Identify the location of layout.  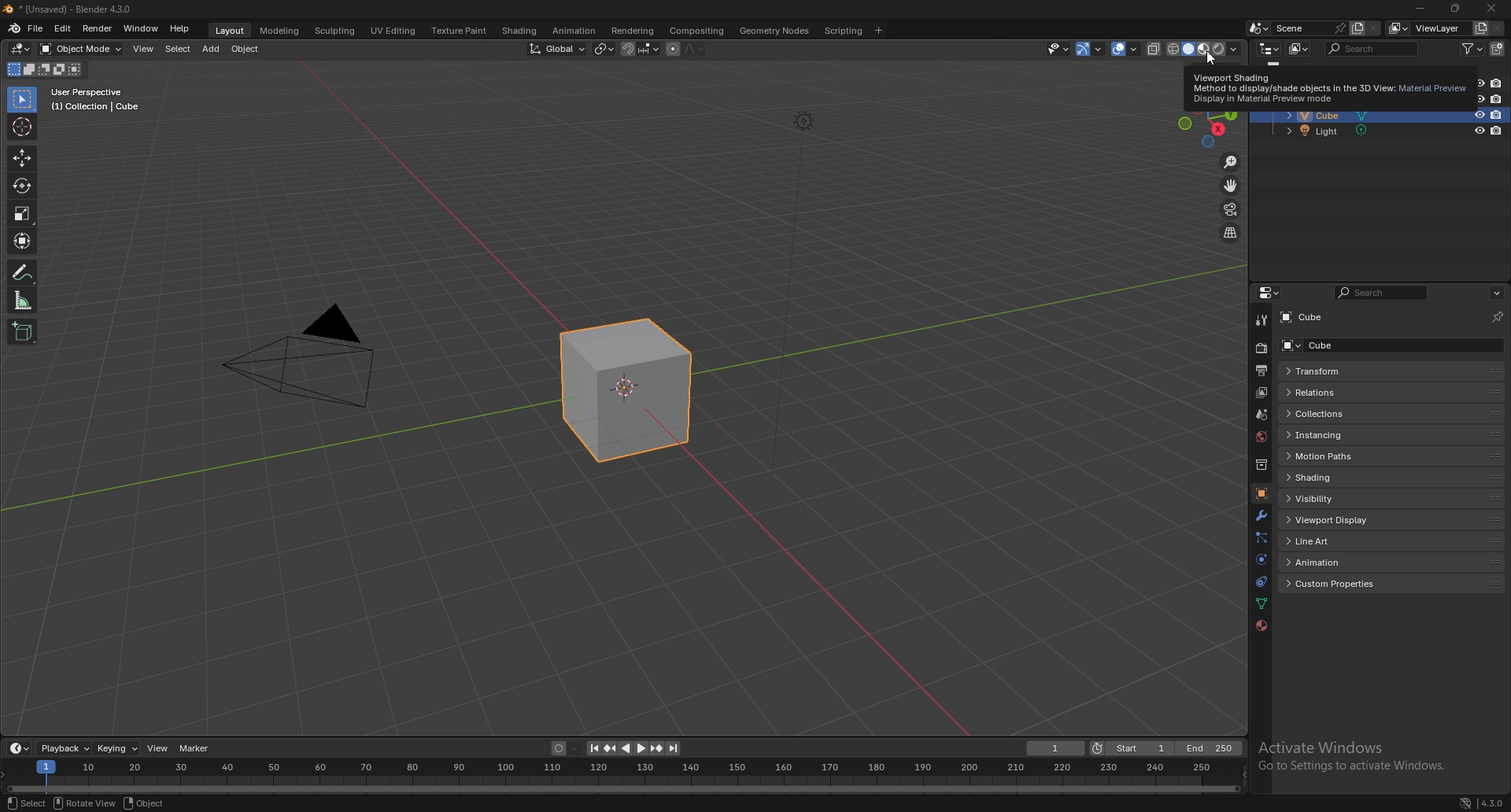
(232, 31).